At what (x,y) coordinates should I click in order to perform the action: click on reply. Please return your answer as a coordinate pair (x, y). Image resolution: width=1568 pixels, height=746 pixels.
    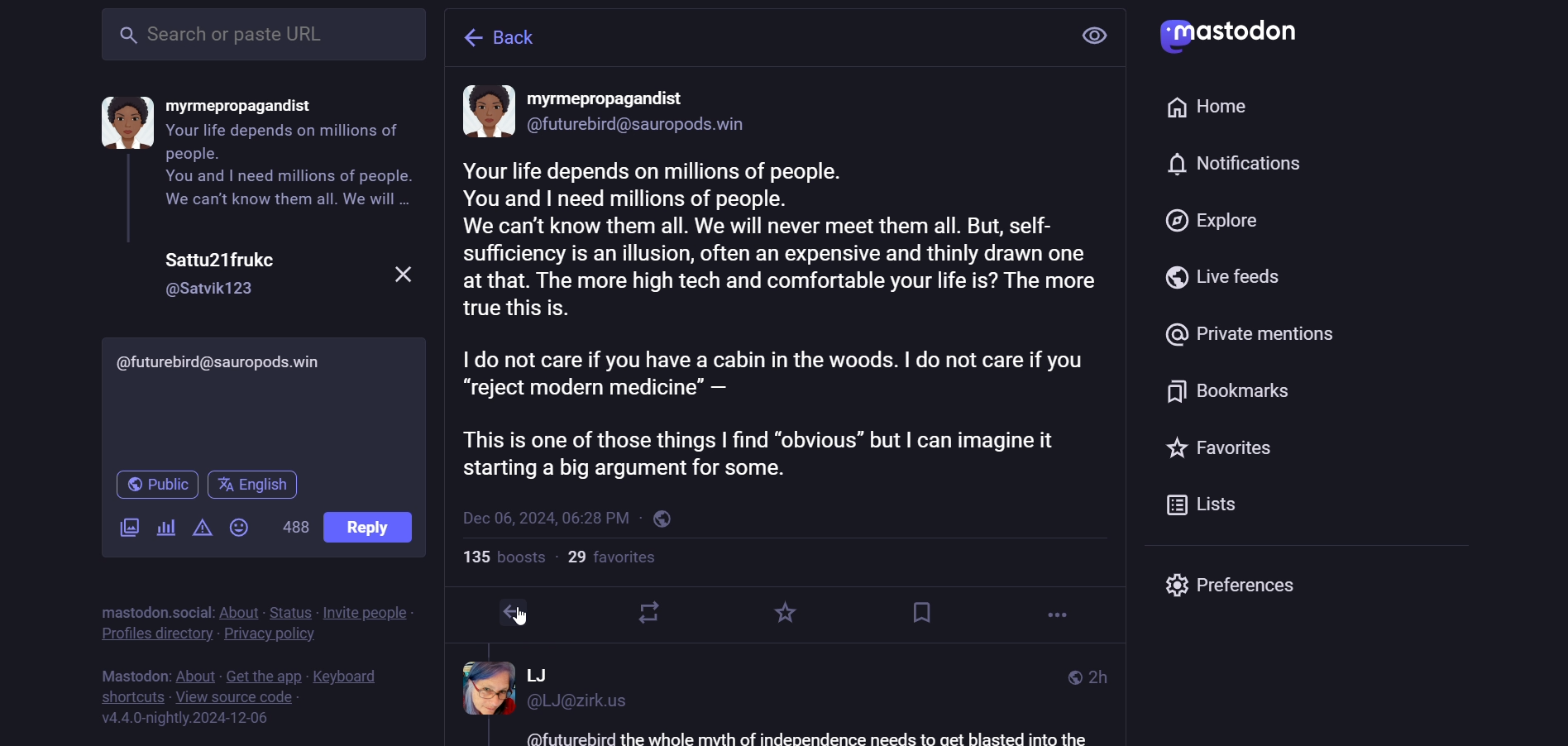
    Looking at the image, I should click on (375, 528).